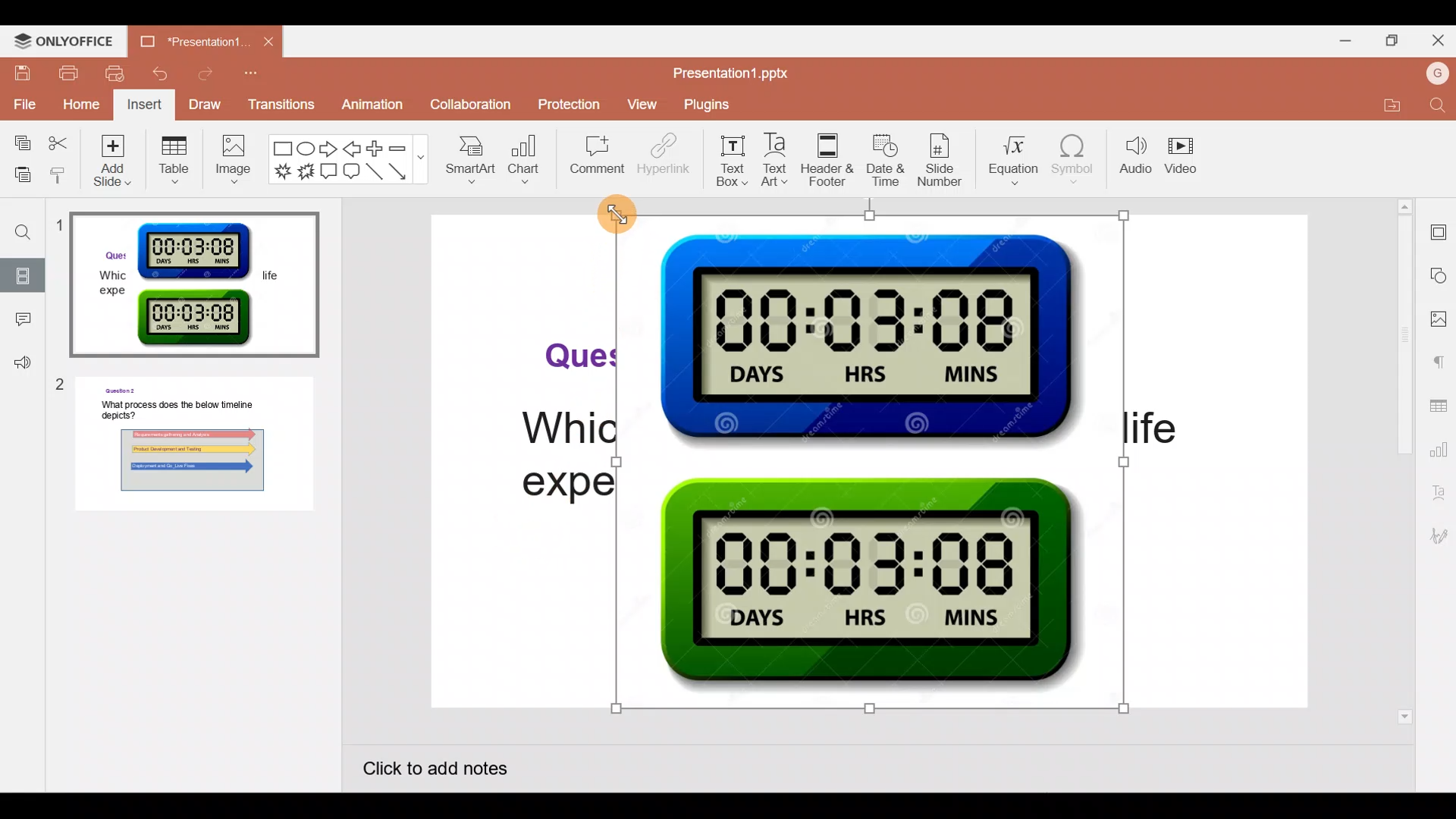  Describe the element at coordinates (1389, 108) in the screenshot. I see `Open file location` at that location.